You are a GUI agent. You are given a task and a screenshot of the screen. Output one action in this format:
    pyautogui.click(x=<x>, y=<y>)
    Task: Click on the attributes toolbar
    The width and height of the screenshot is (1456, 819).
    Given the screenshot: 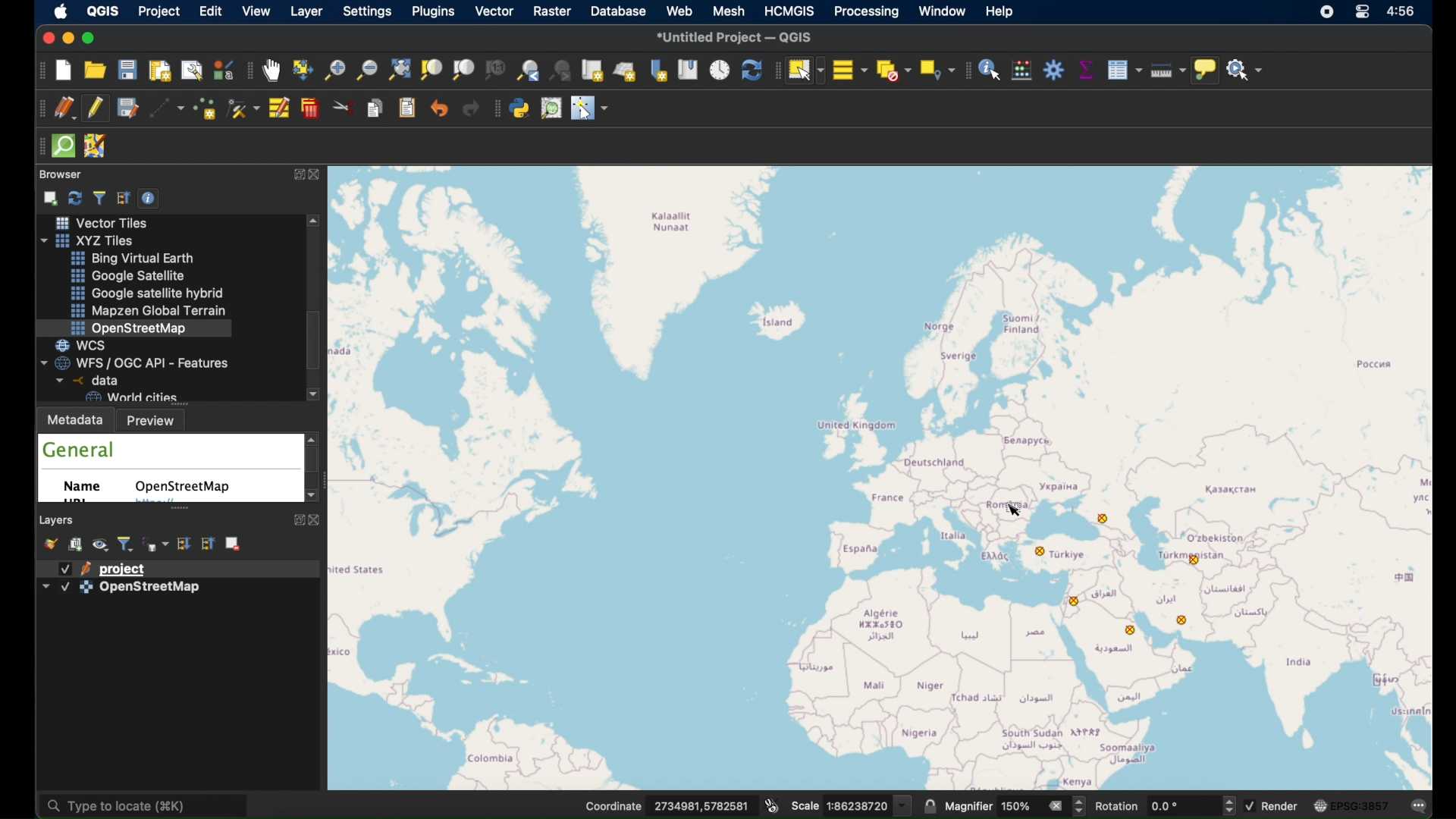 What is the action you would take?
    pyautogui.click(x=966, y=71)
    